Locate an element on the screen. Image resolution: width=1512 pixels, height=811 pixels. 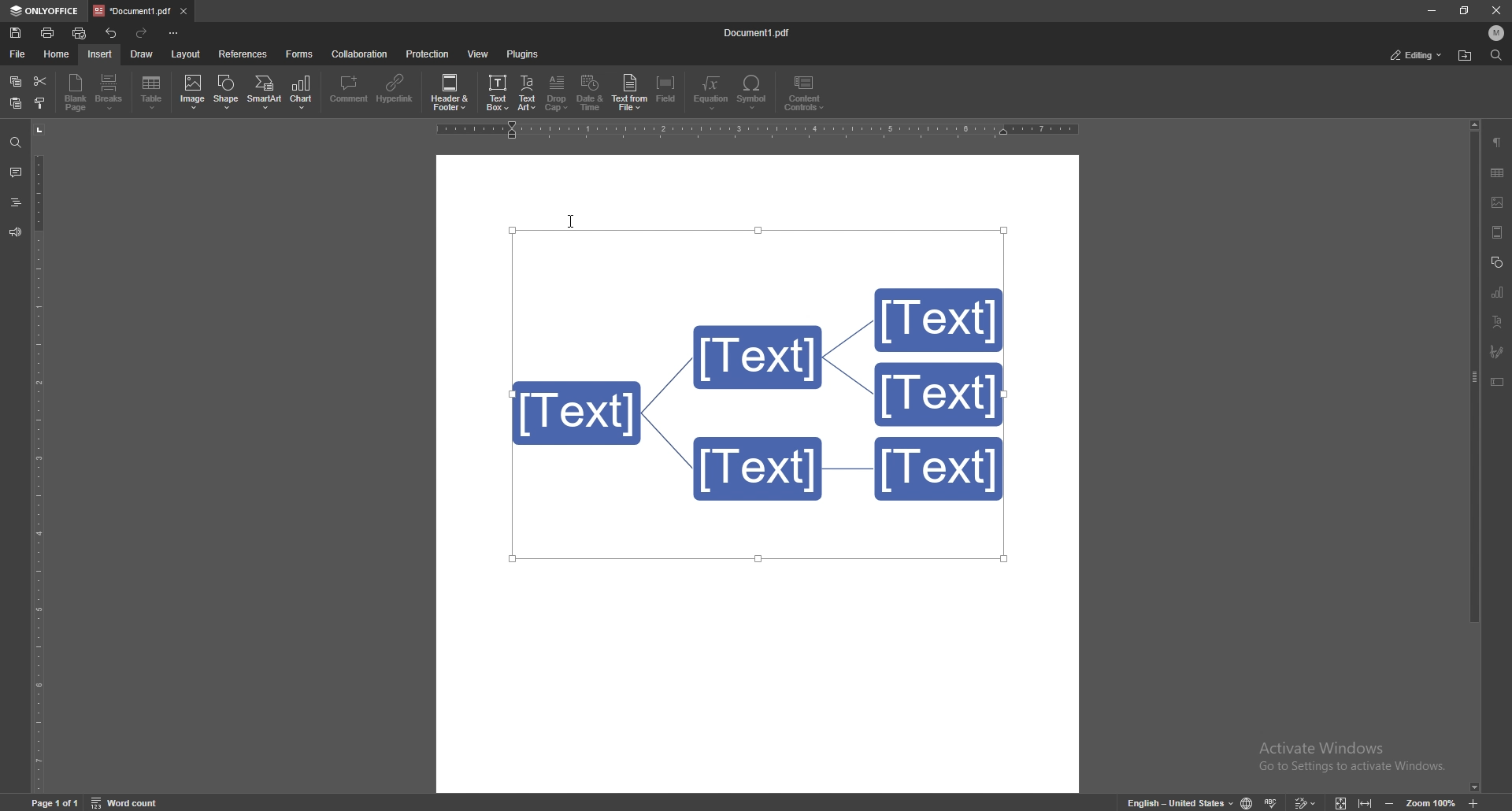
hierarchy smart art is located at coordinates (757, 392).